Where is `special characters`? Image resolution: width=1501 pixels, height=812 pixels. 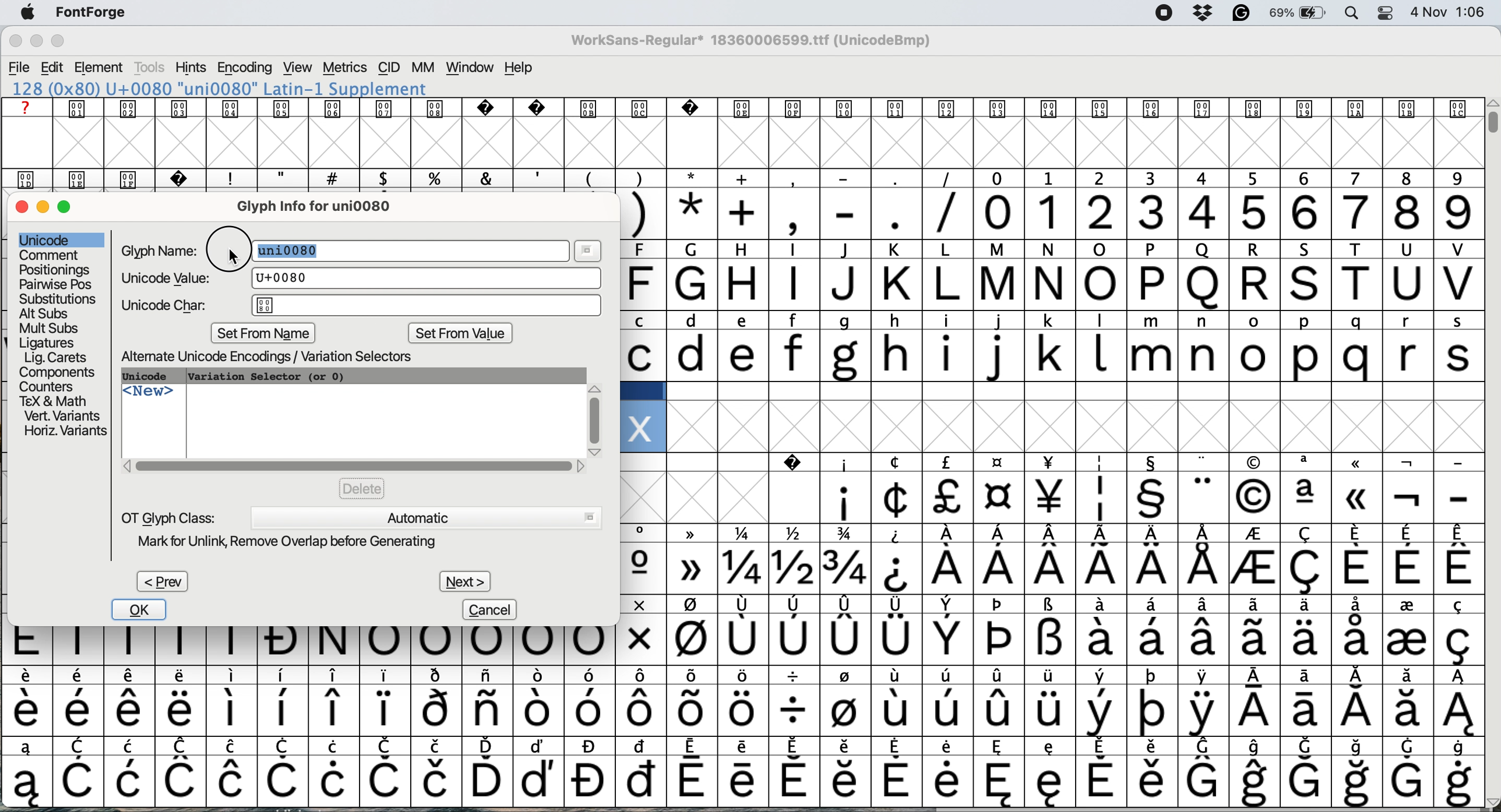
special characters is located at coordinates (1050, 535).